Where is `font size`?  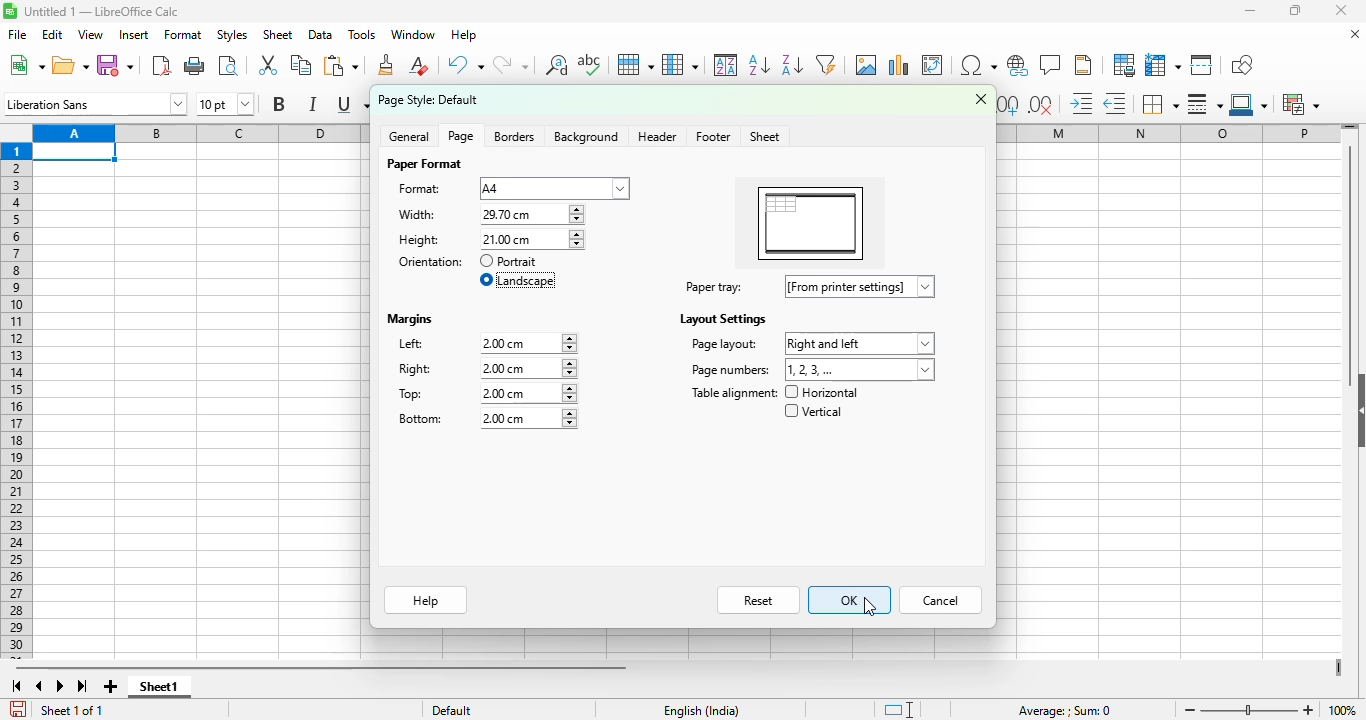 font size is located at coordinates (226, 103).